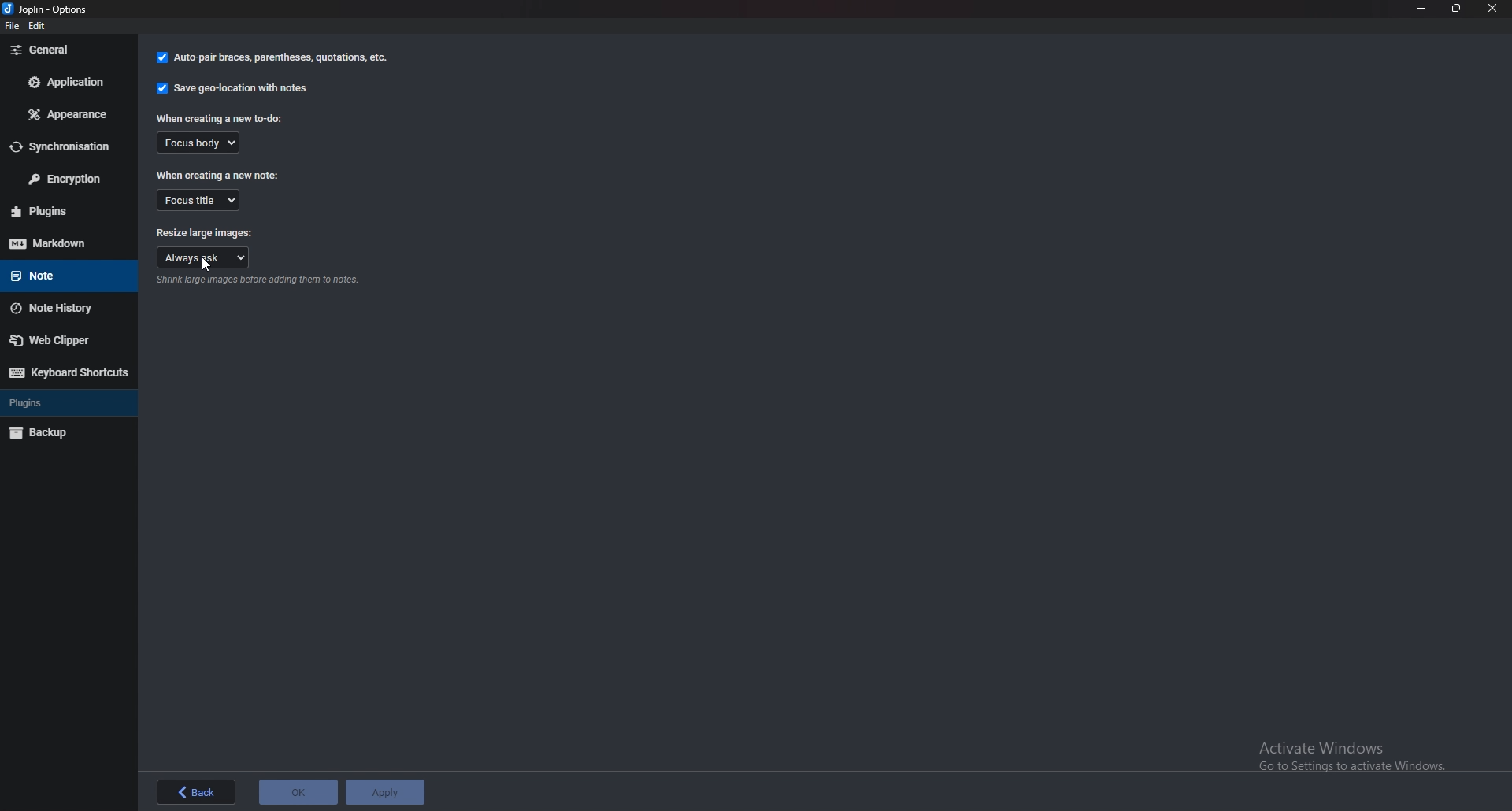  What do you see at coordinates (69, 113) in the screenshot?
I see `Appearance` at bounding box center [69, 113].